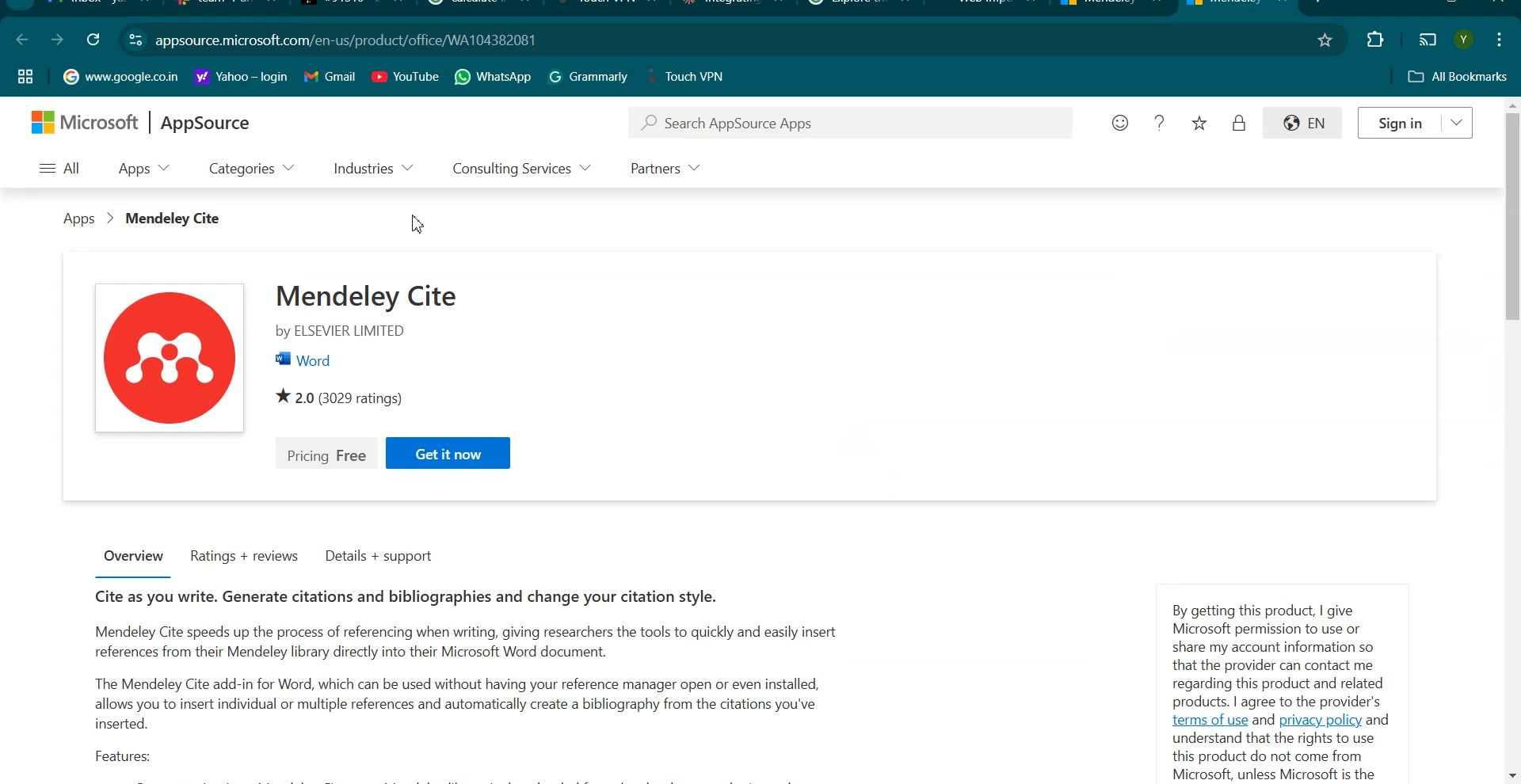 This screenshot has height=784, width=1521. I want to click on Grammarly Bookmarks, so click(589, 76).